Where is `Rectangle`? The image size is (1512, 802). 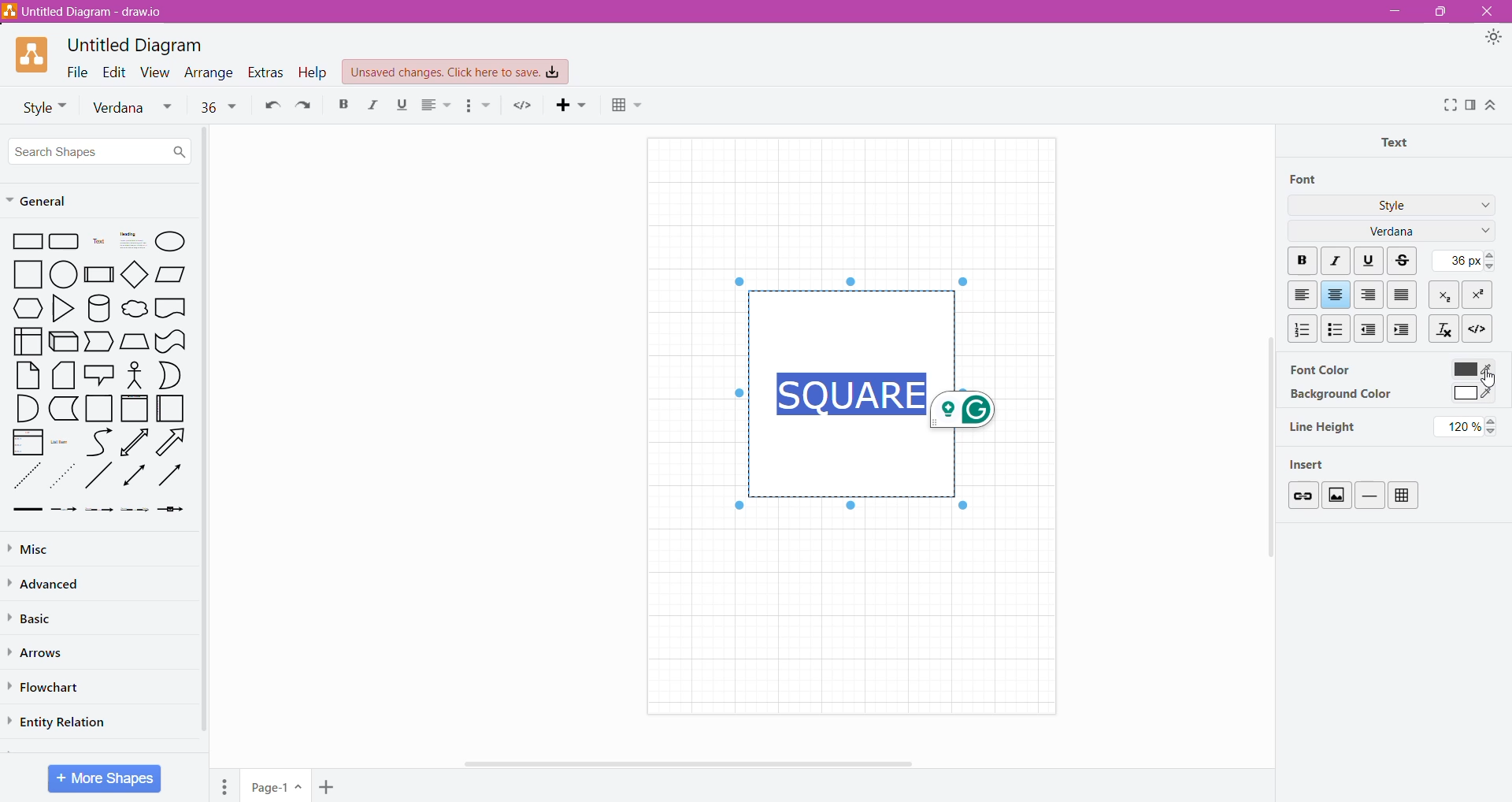 Rectangle is located at coordinates (24, 240).